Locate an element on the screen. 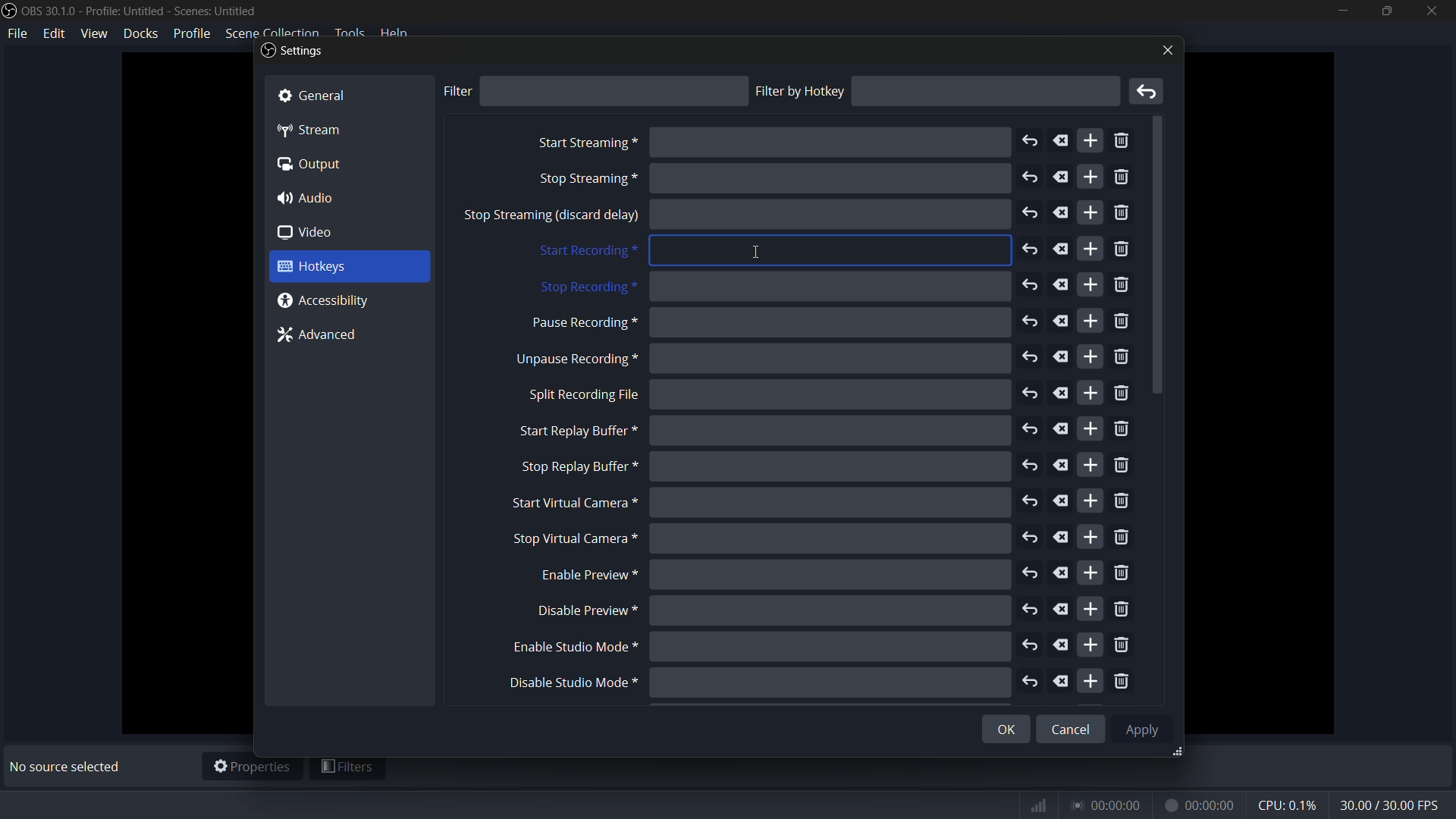  7% Advanced is located at coordinates (324, 337).